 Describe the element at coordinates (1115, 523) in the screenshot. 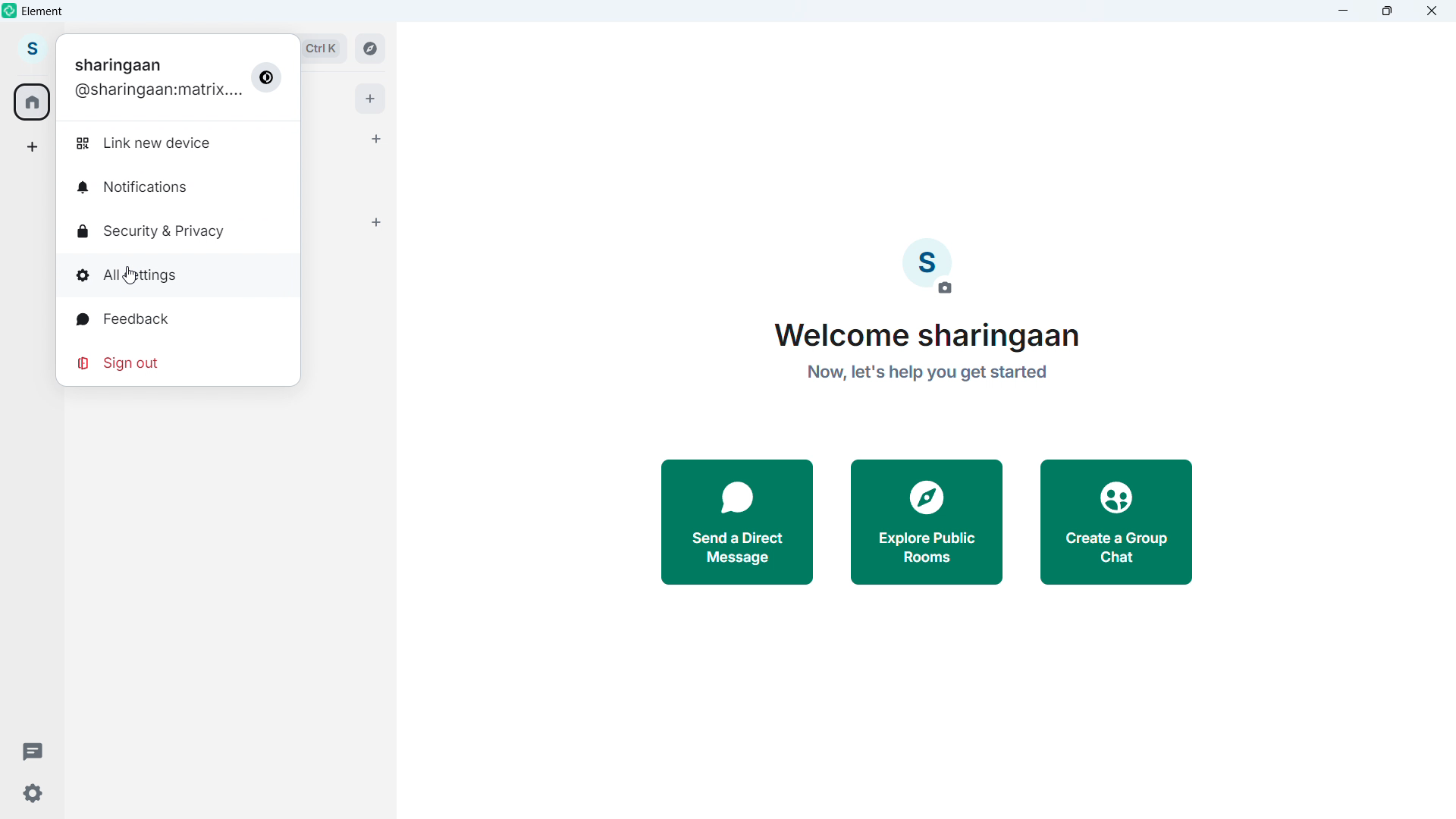

I see `Create a group chat ` at that location.